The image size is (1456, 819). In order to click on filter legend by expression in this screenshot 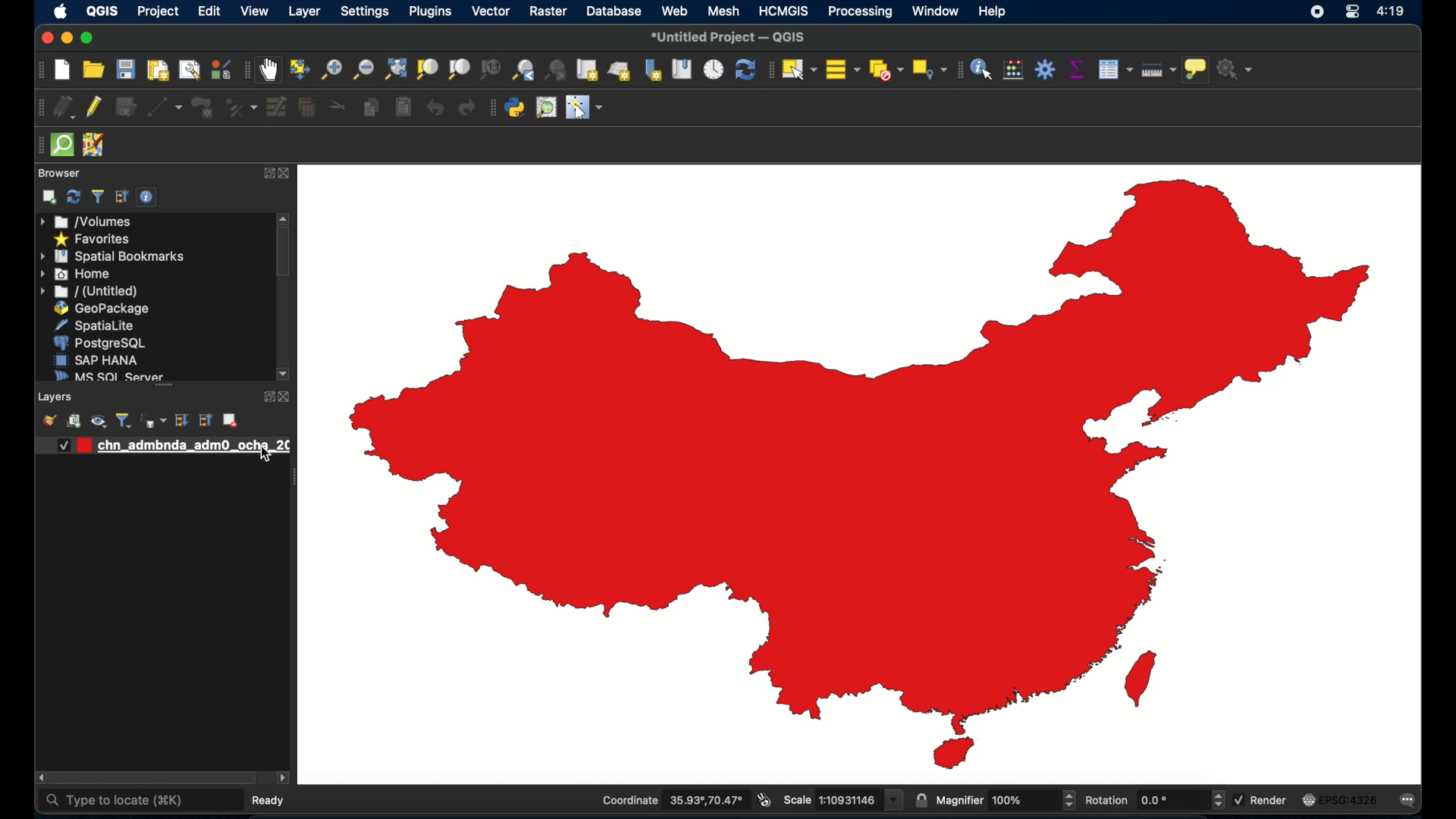, I will do `click(155, 420)`.